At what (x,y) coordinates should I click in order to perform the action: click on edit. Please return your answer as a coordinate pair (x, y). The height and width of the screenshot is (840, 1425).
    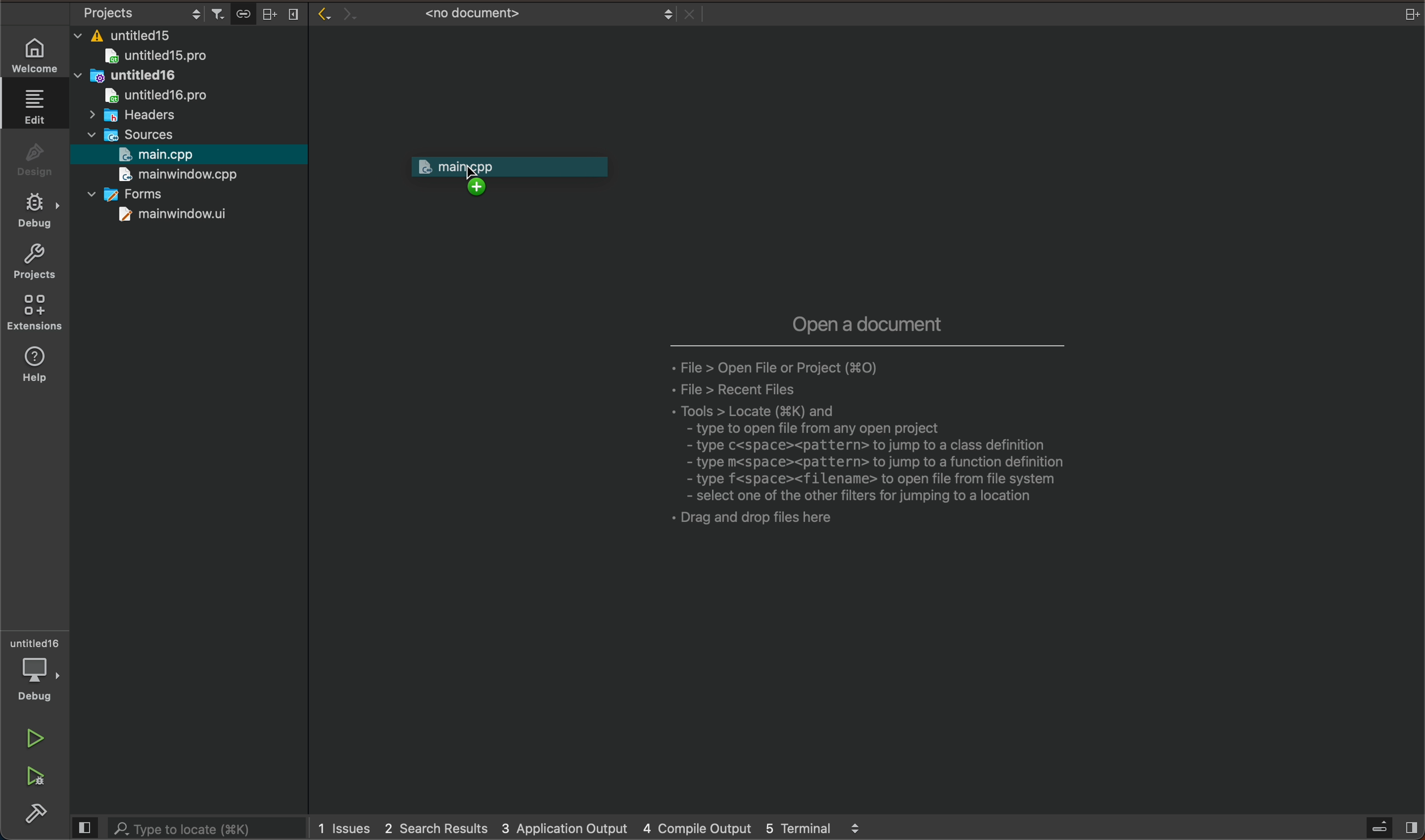
    Looking at the image, I should click on (32, 106).